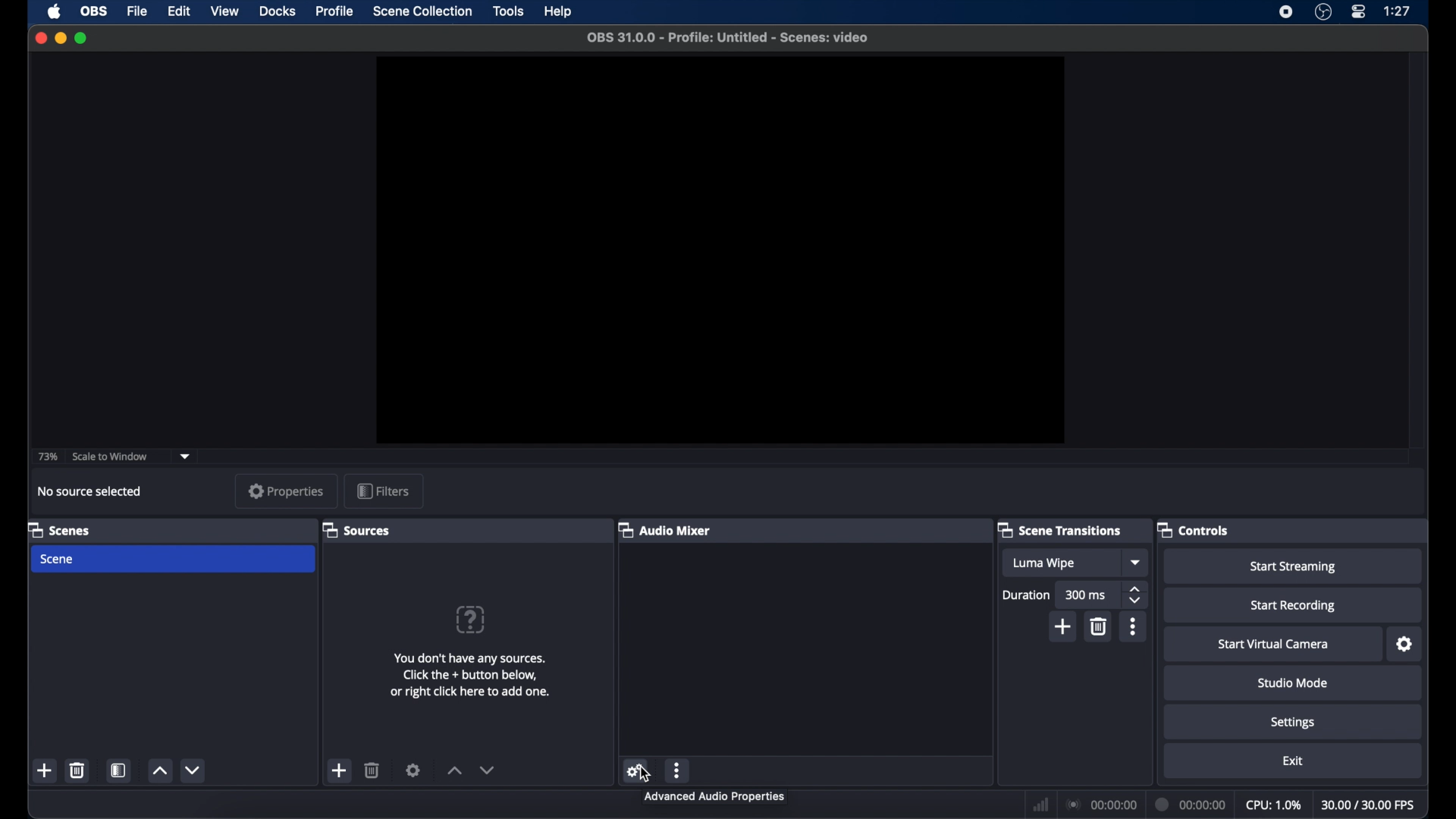  I want to click on delete, so click(1101, 626).